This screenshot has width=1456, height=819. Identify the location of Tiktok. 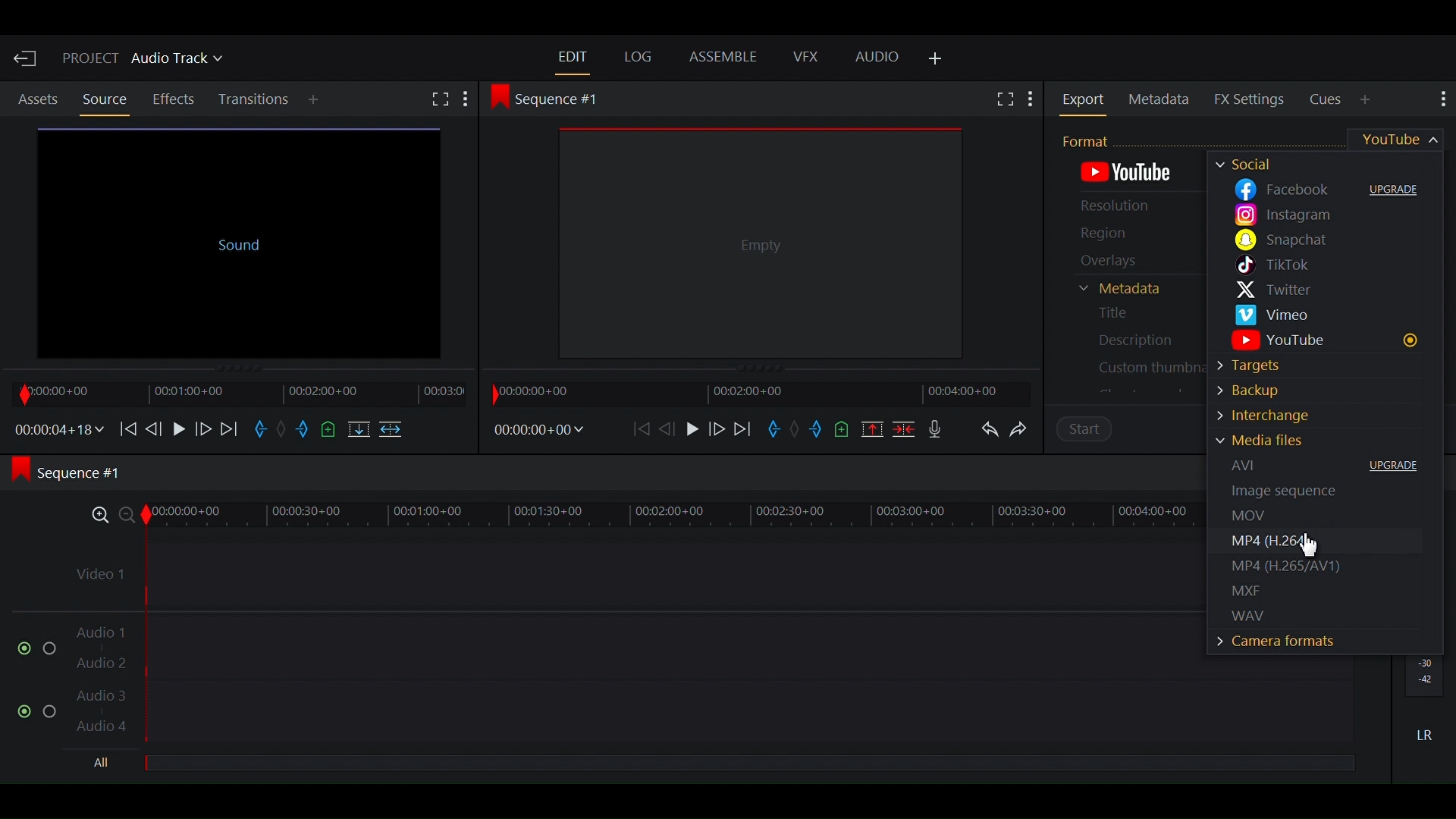
(1324, 267).